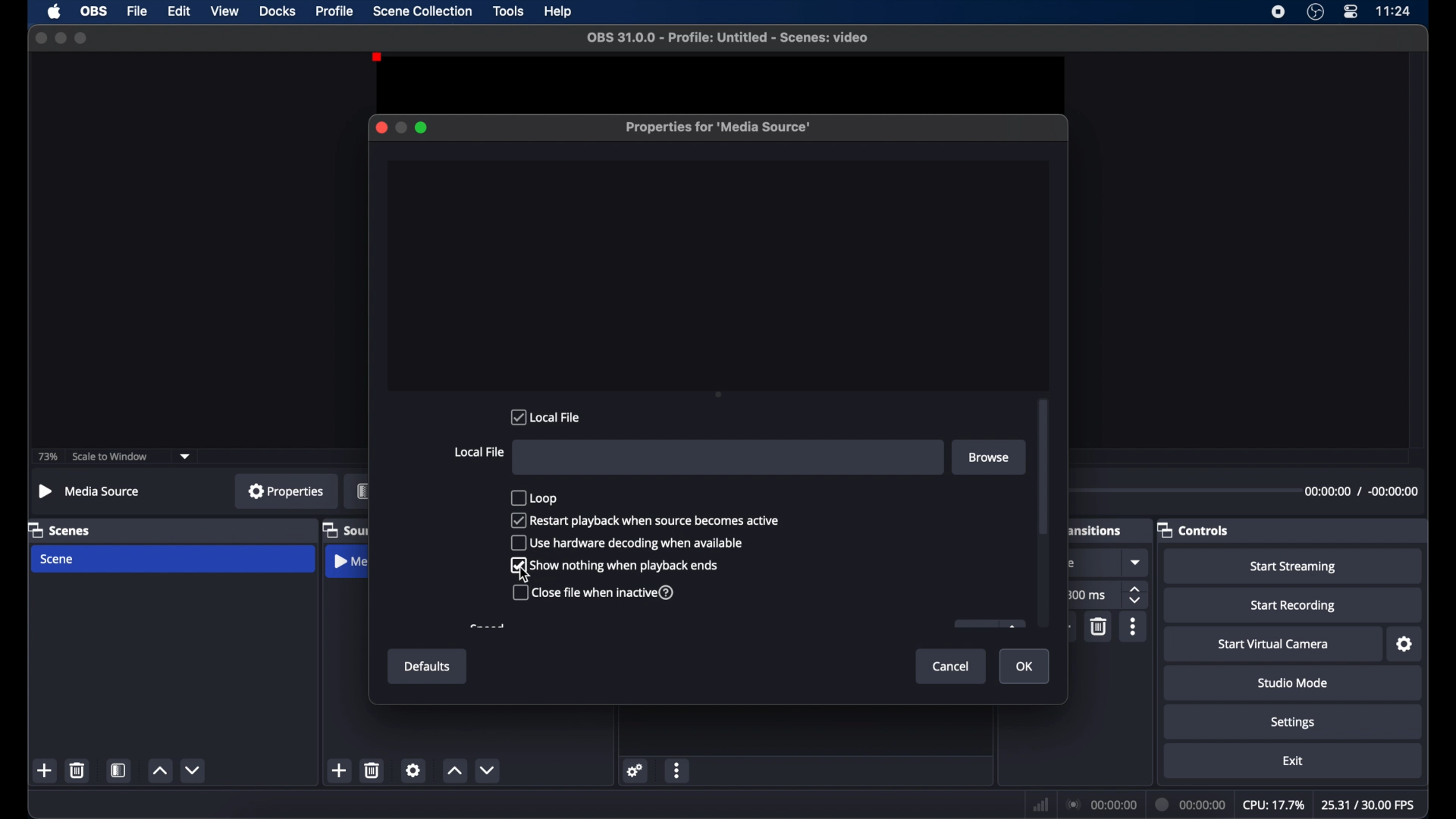 The image size is (1456, 819). I want to click on defaults, so click(428, 667).